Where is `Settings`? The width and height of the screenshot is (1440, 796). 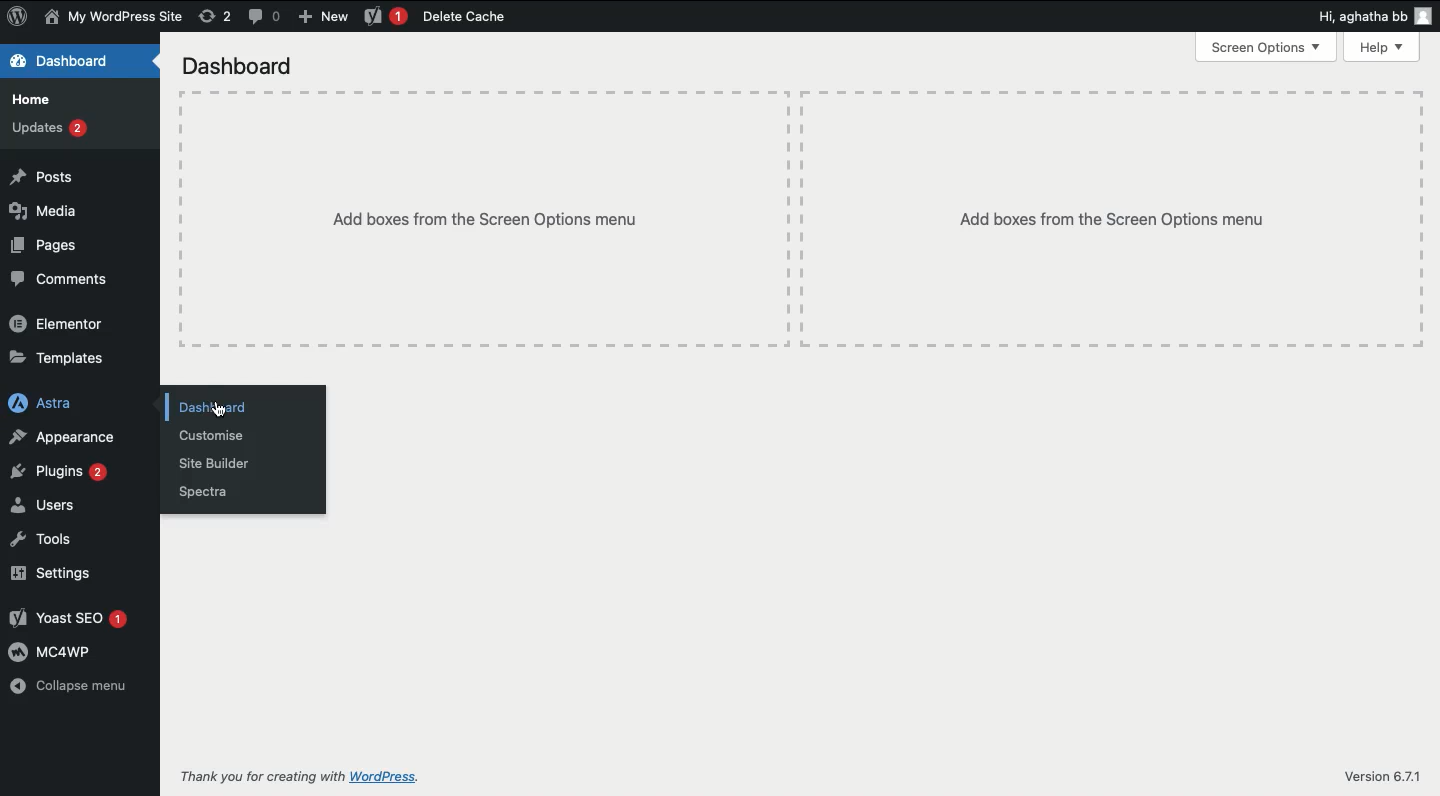
Settings is located at coordinates (54, 573).